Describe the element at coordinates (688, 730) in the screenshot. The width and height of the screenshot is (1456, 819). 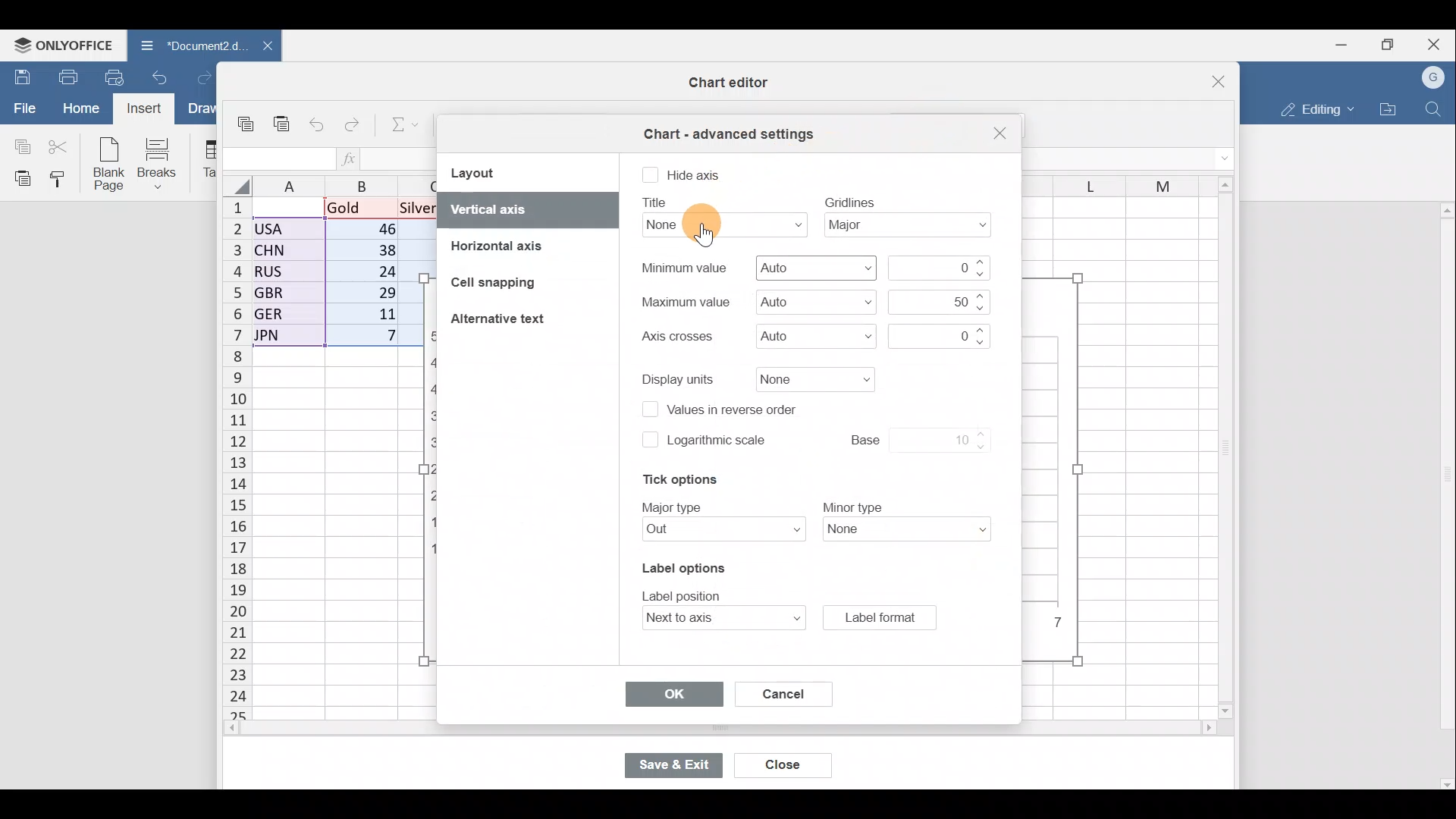
I see `Scroll bar` at that location.